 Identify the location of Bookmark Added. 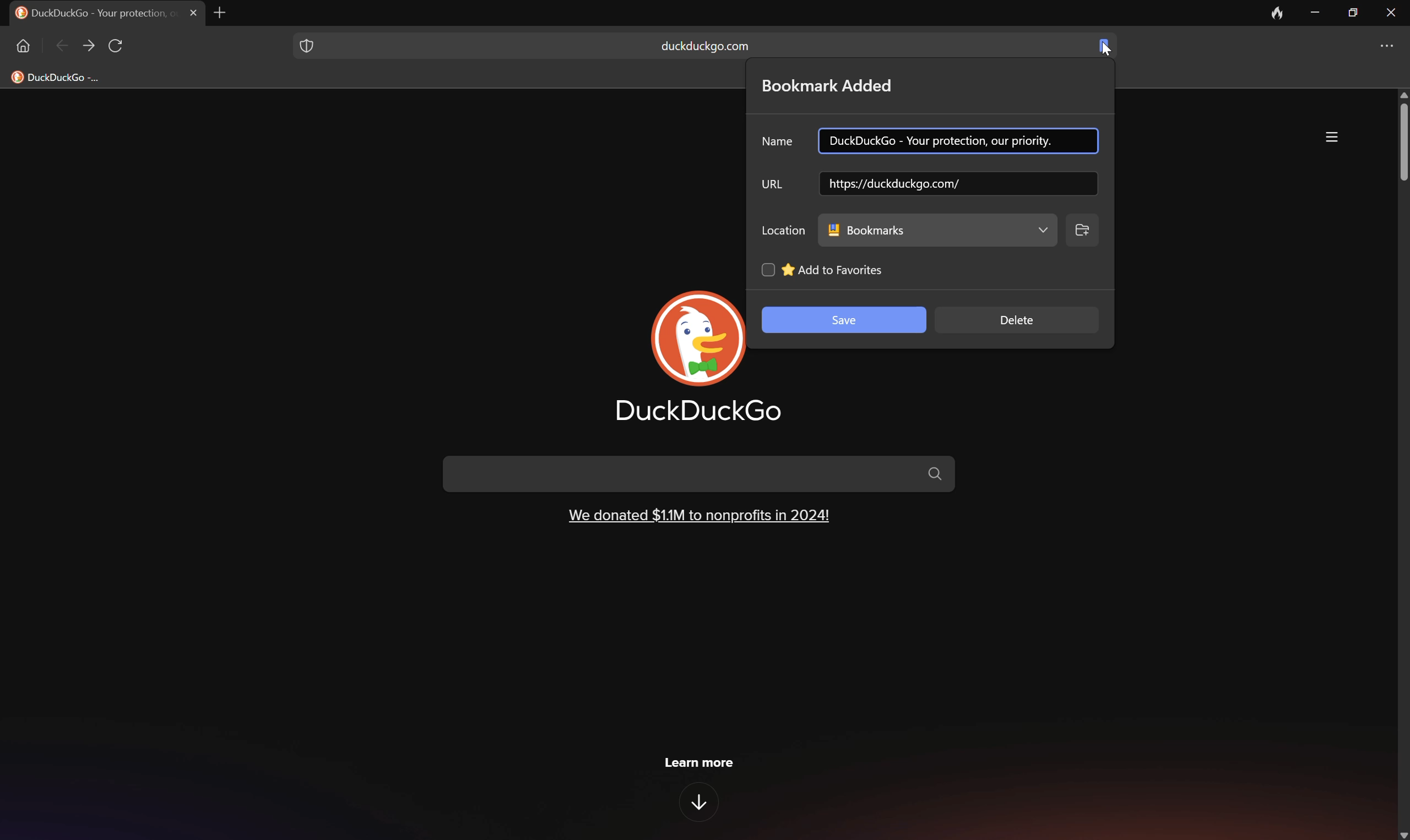
(828, 85).